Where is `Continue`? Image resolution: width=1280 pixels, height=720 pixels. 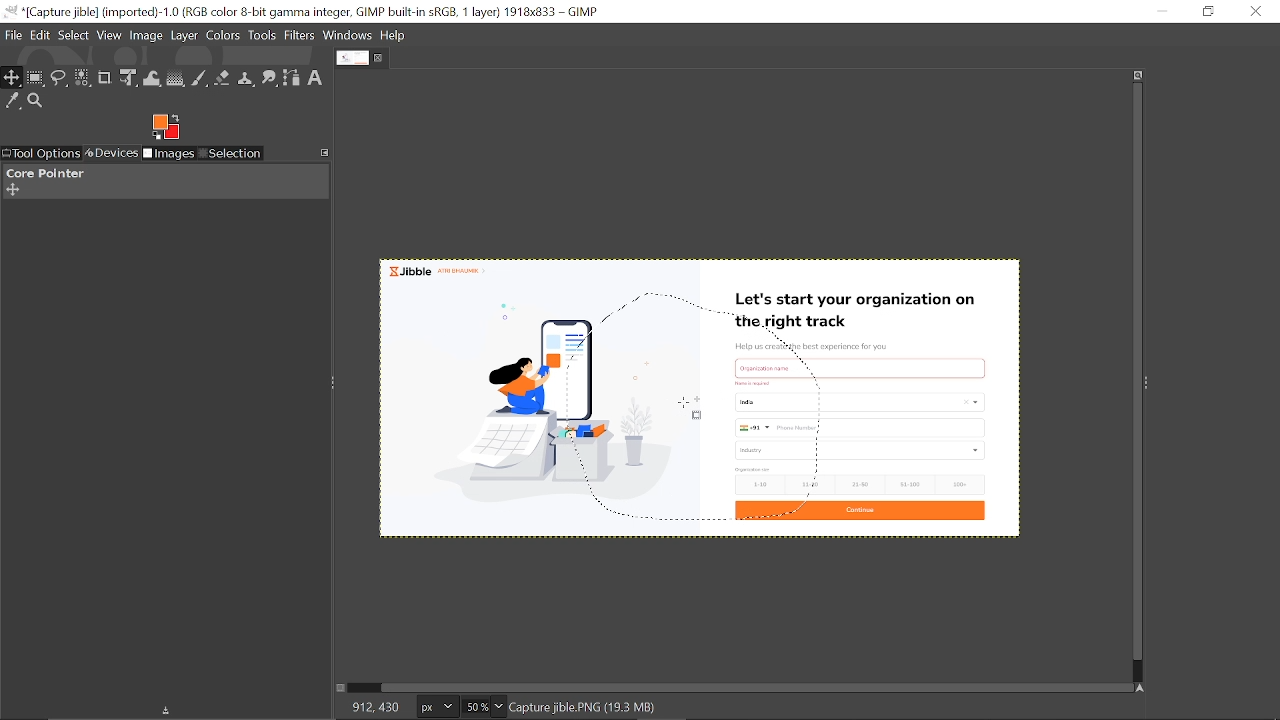
Continue is located at coordinates (858, 512).